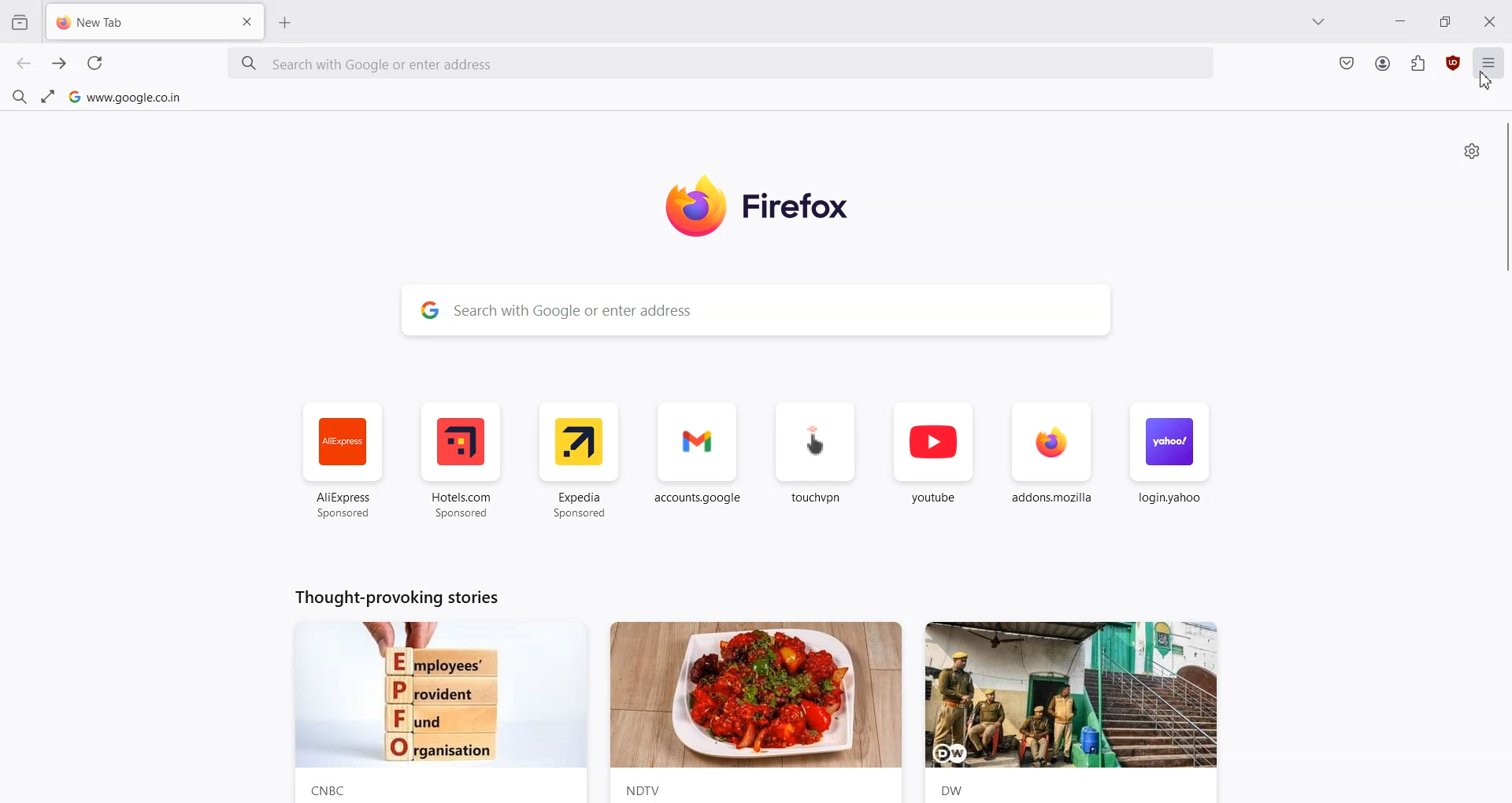 This screenshot has width=1512, height=803. I want to click on uBlock Origin, so click(1452, 63).